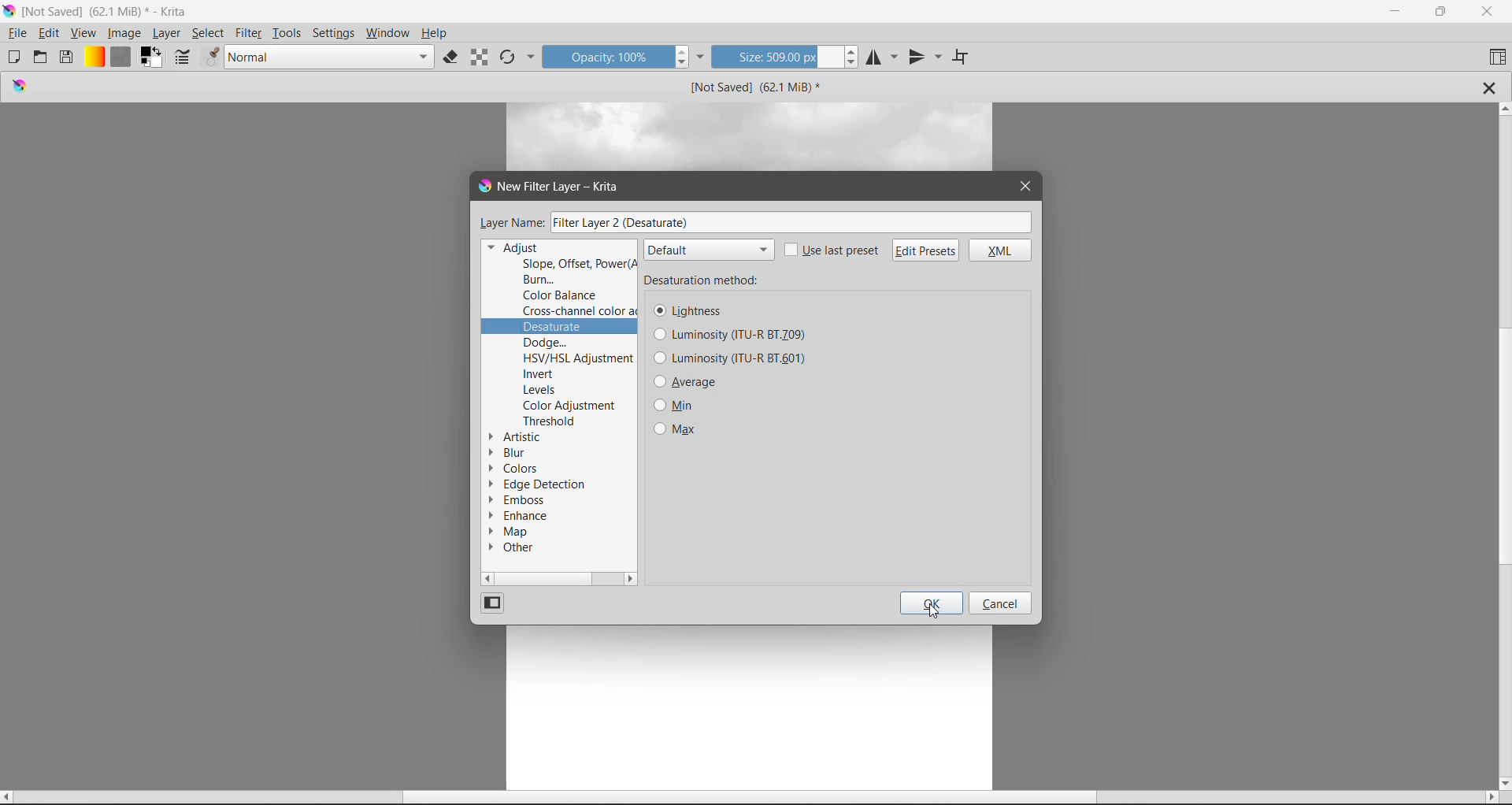 Image resolution: width=1512 pixels, height=805 pixels. Describe the element at coordinates (606, 58) in the screenshot. I see `Opacity` at that location.